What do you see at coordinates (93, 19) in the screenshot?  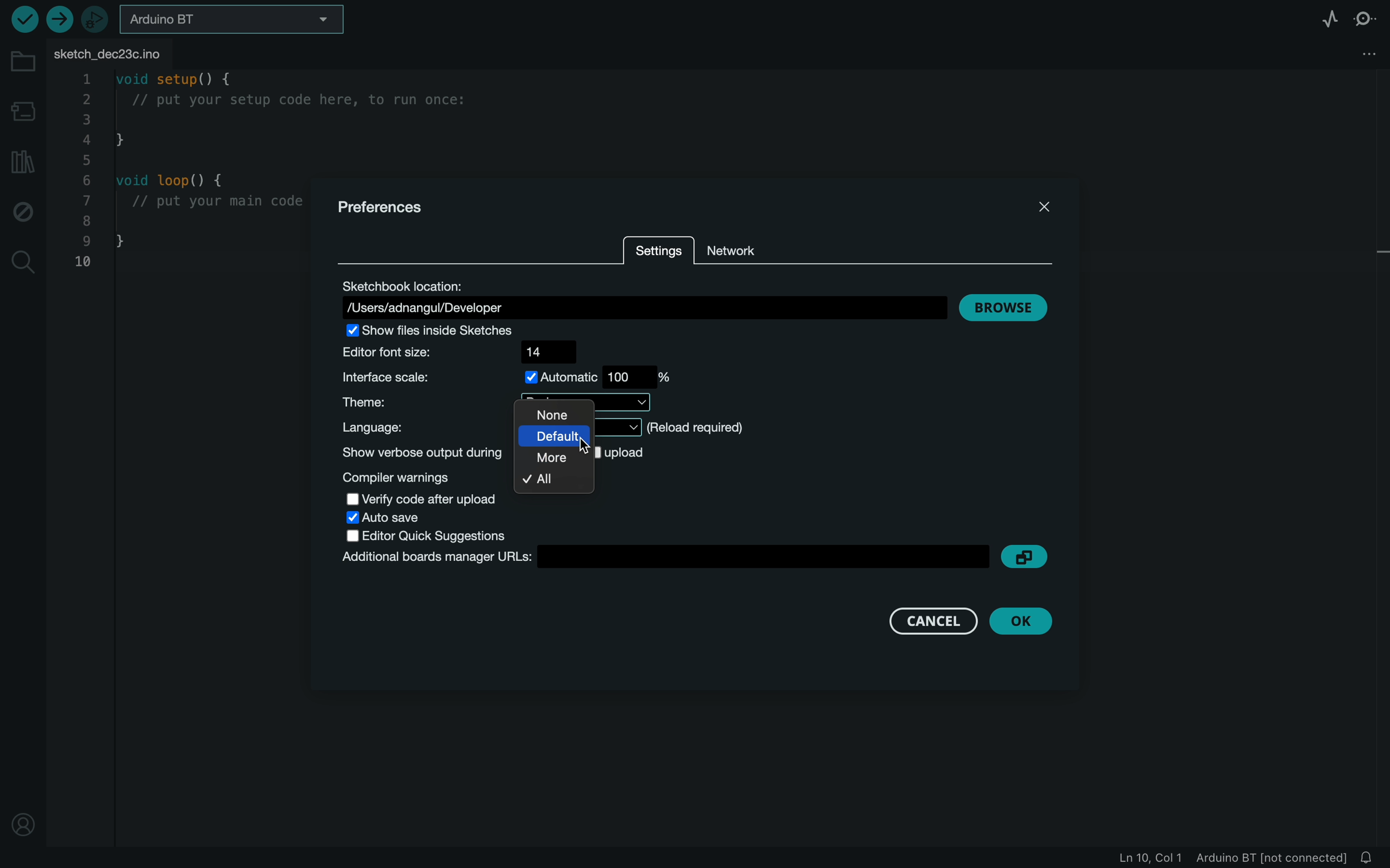 I see `debugger` at bounding box center [93, 19].